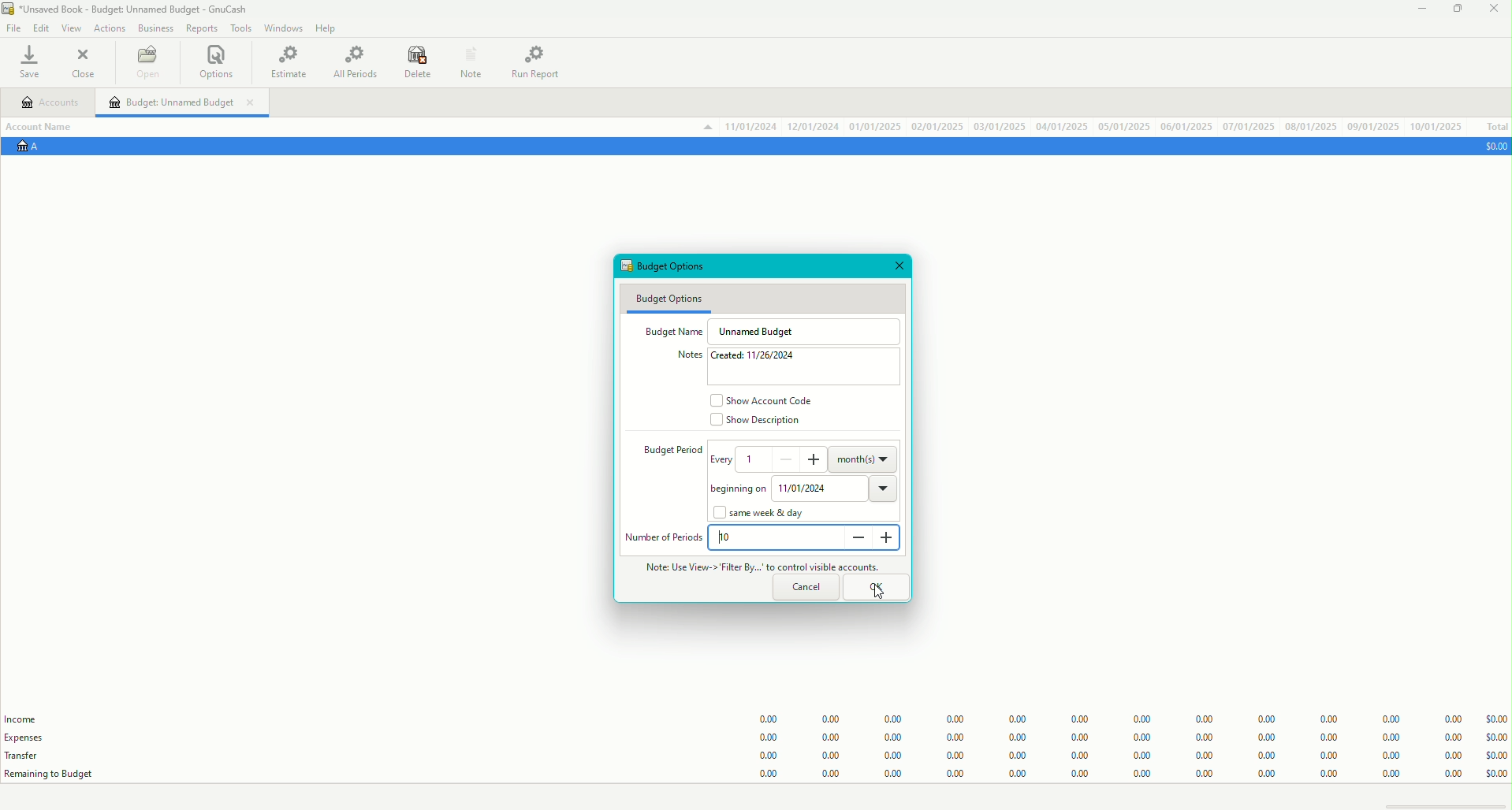  Describe the element at coordinates (218, 63) in the screenshot. I see `Options` at that location.